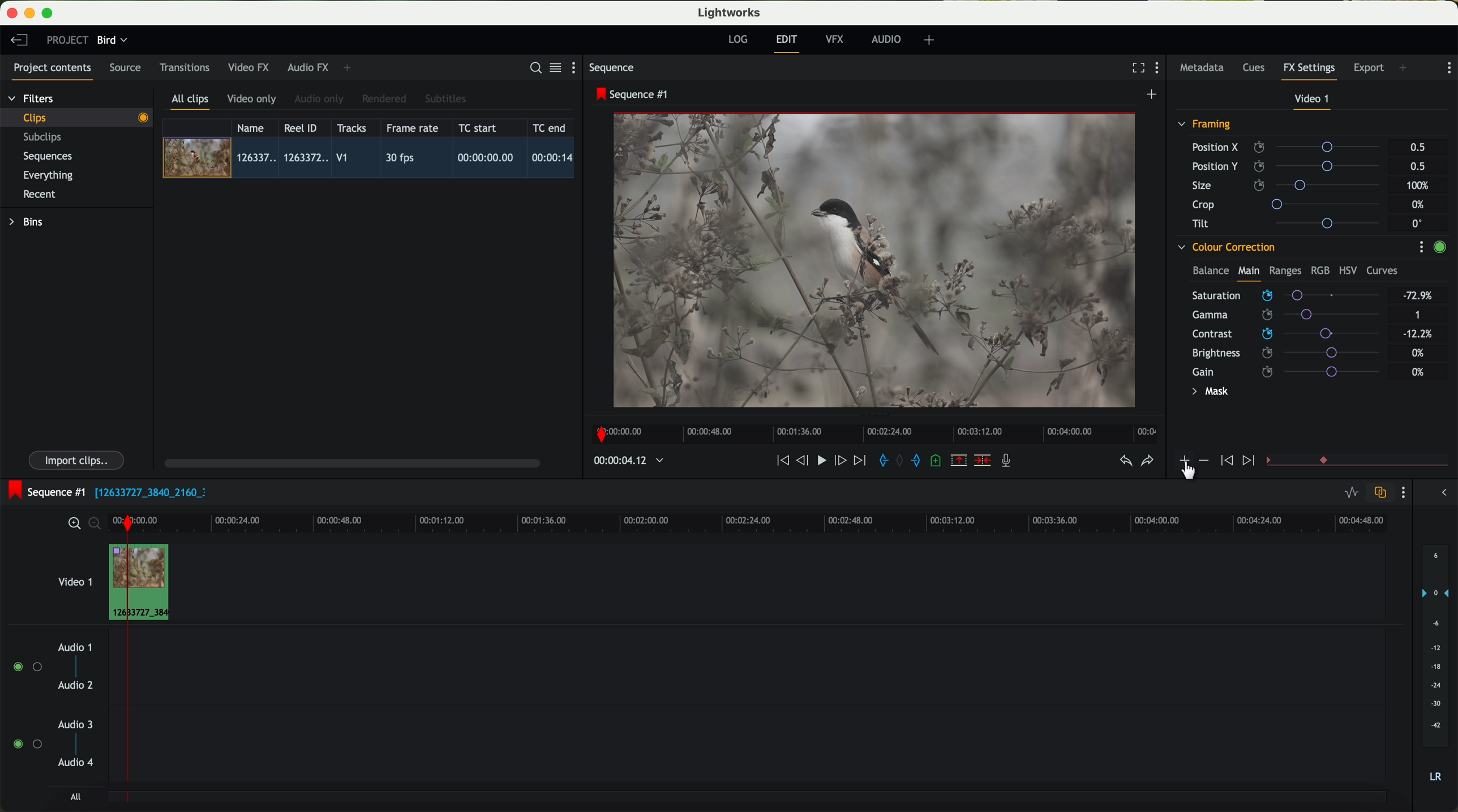 This screenshot has width=1458, height=812. I want to click on sequence #1, so click(633, 94).